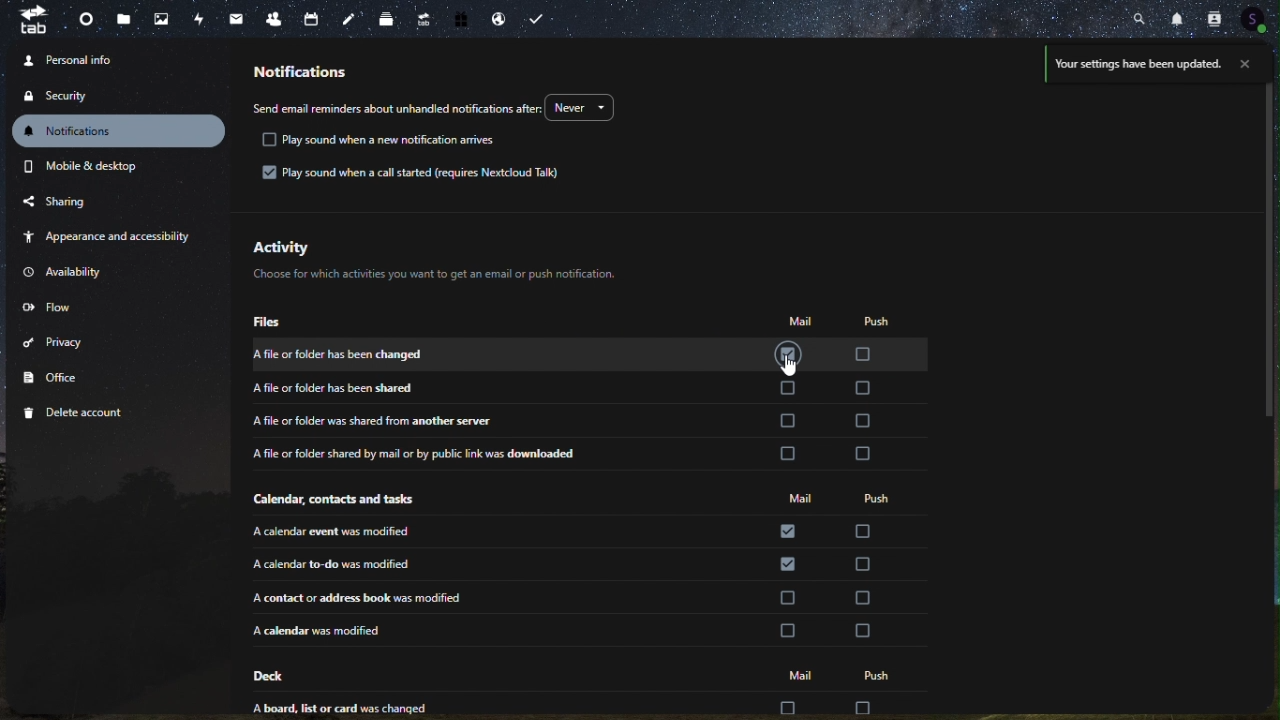 This screenshot has height=720, width=1280. What do you see at coordinates (533, 18) in the screenshot?
I see `task` at bounding box center [533, 18].